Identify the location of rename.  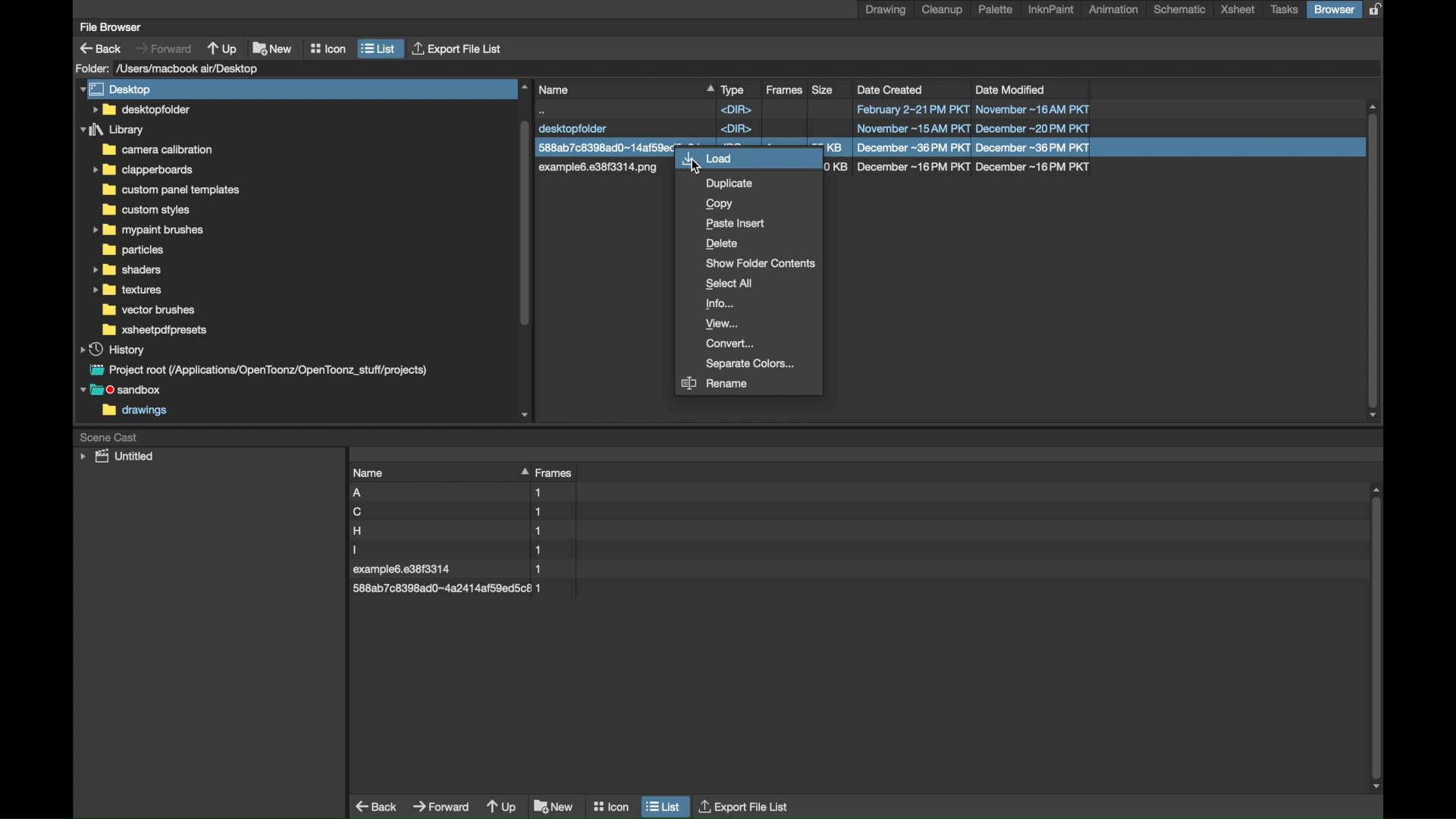
(715, 384).